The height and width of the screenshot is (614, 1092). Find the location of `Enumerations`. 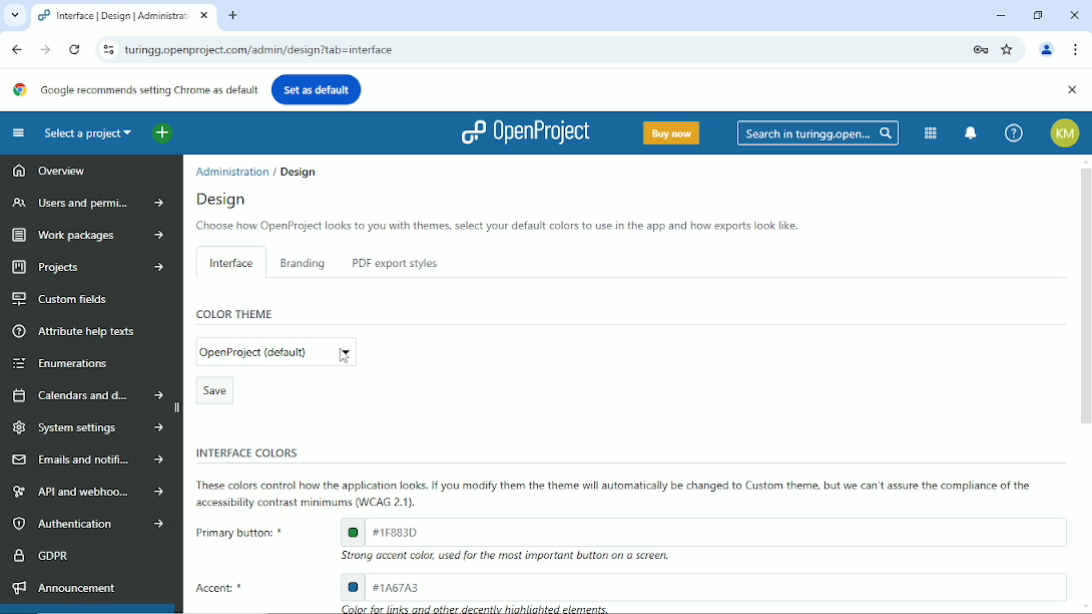

Enumerations is located at coordinates (63, 363).